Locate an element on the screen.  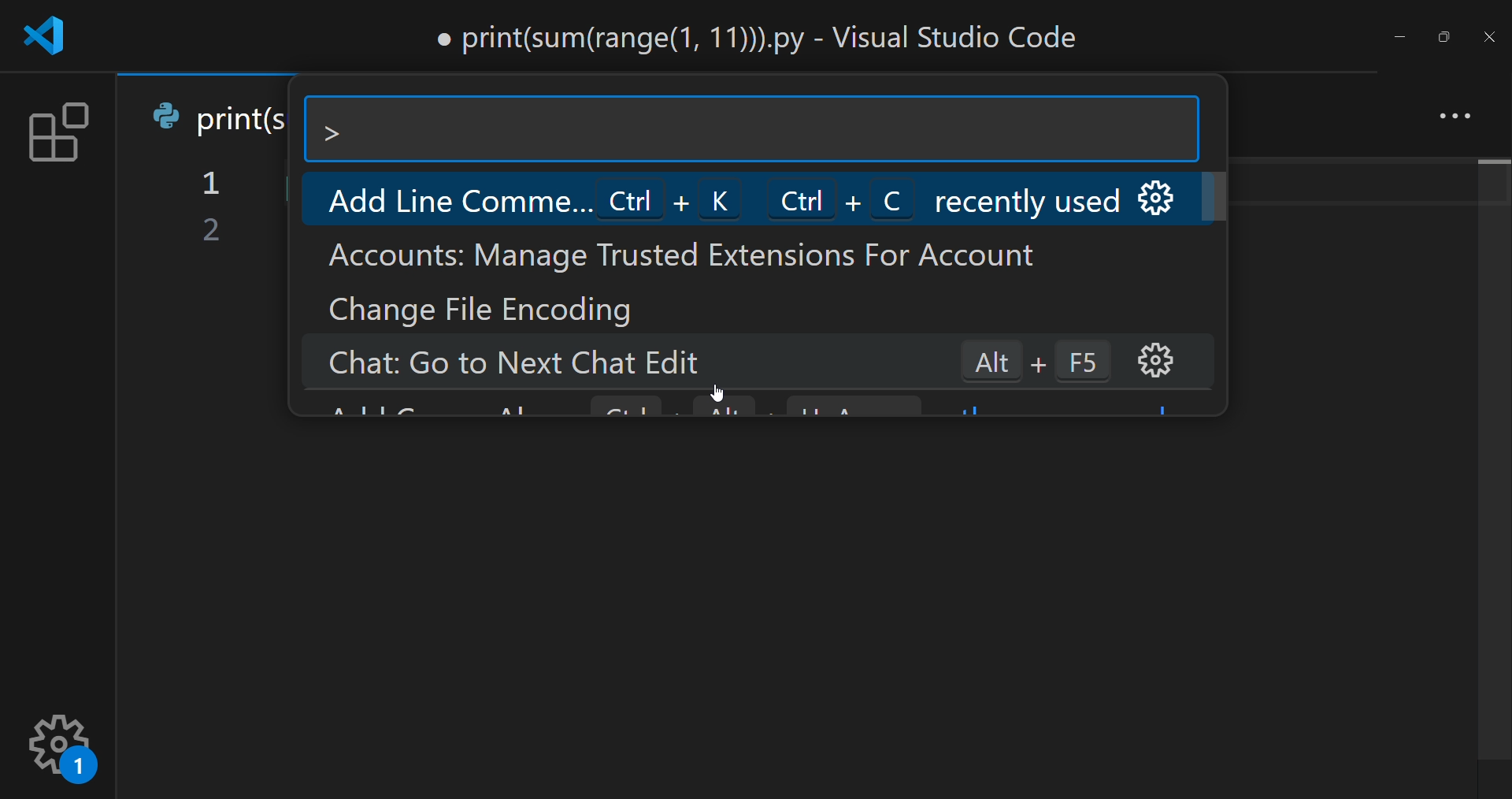
option setting is located at coordinates (1157, 361).